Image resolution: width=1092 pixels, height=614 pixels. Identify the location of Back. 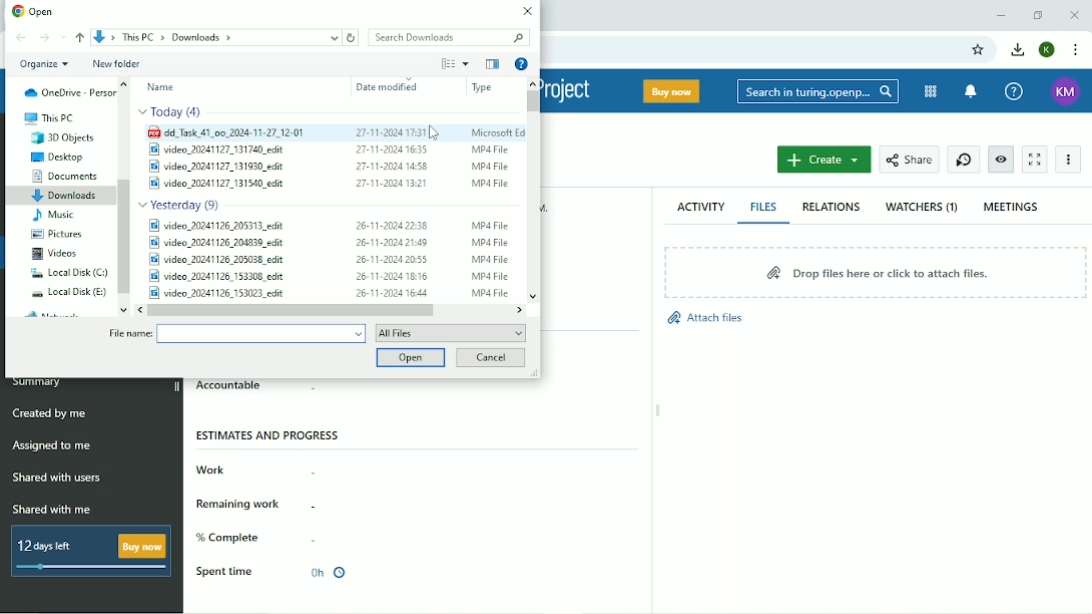
(21, 38).